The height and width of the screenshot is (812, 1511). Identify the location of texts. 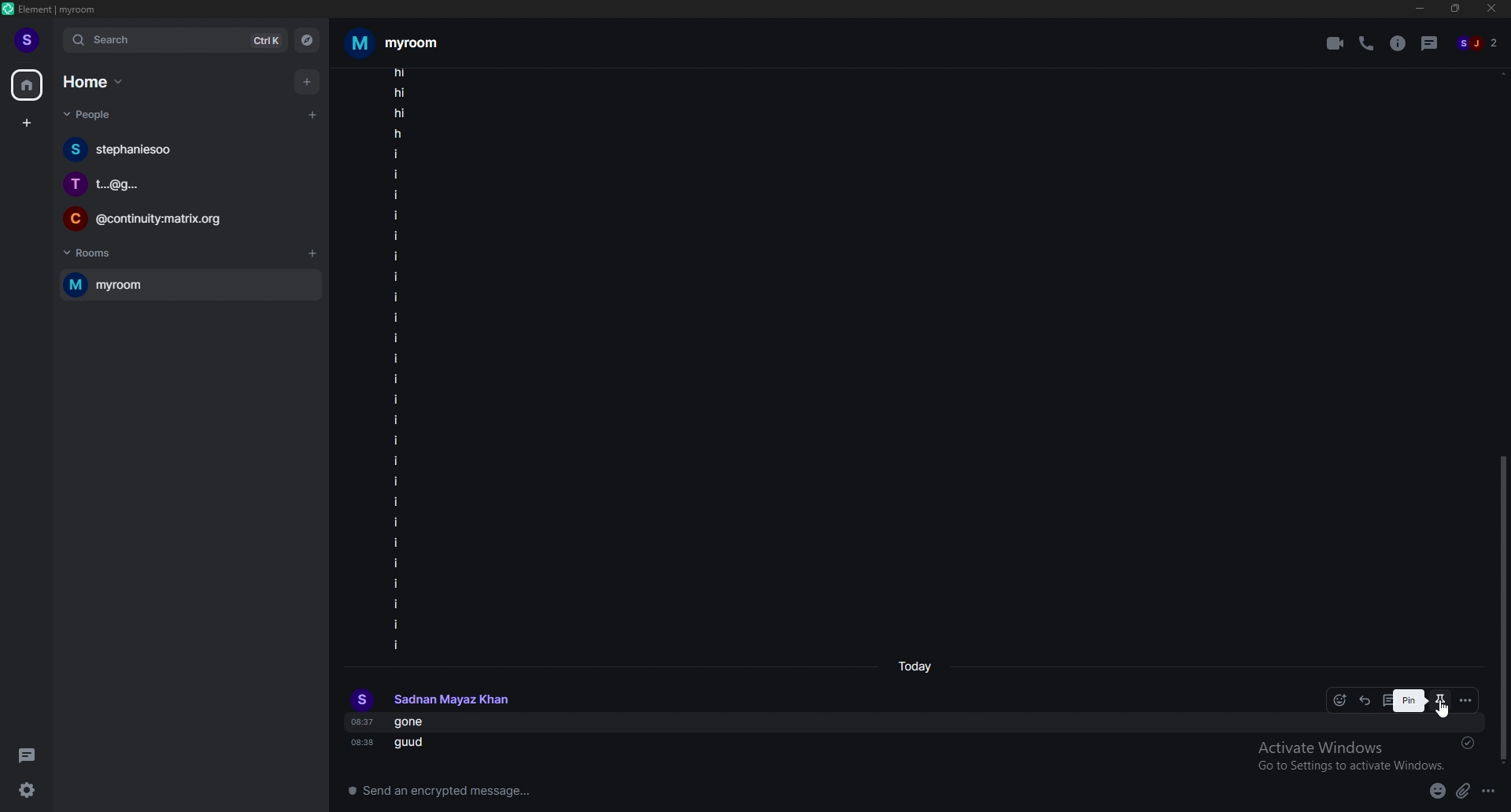
(397, 360).